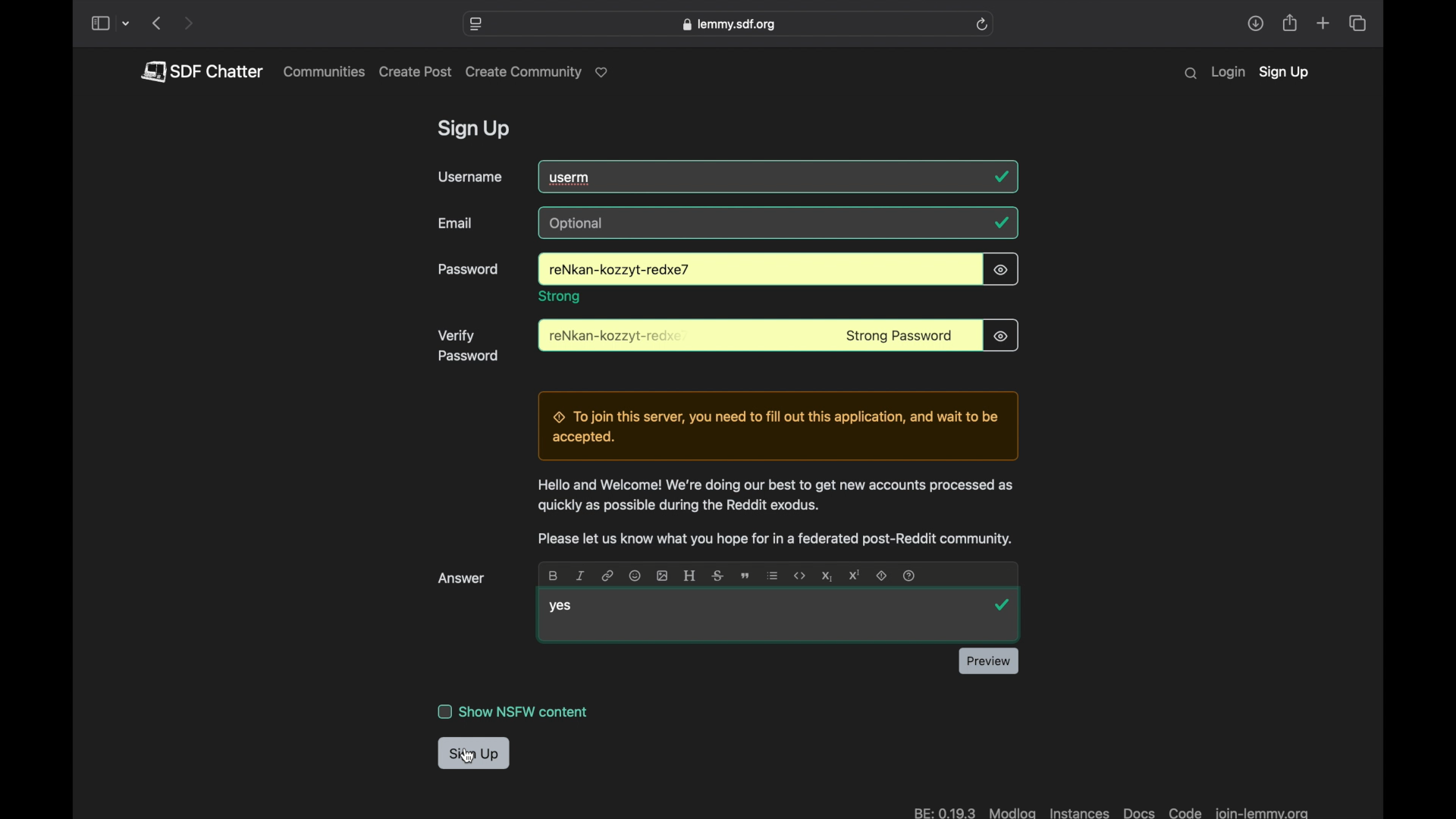 The height and width of the screenshot is (819, 1456). What do you see at coordinates (634, 575) in the screenshot?
I see `emoji` at bounding box center [634, 575].